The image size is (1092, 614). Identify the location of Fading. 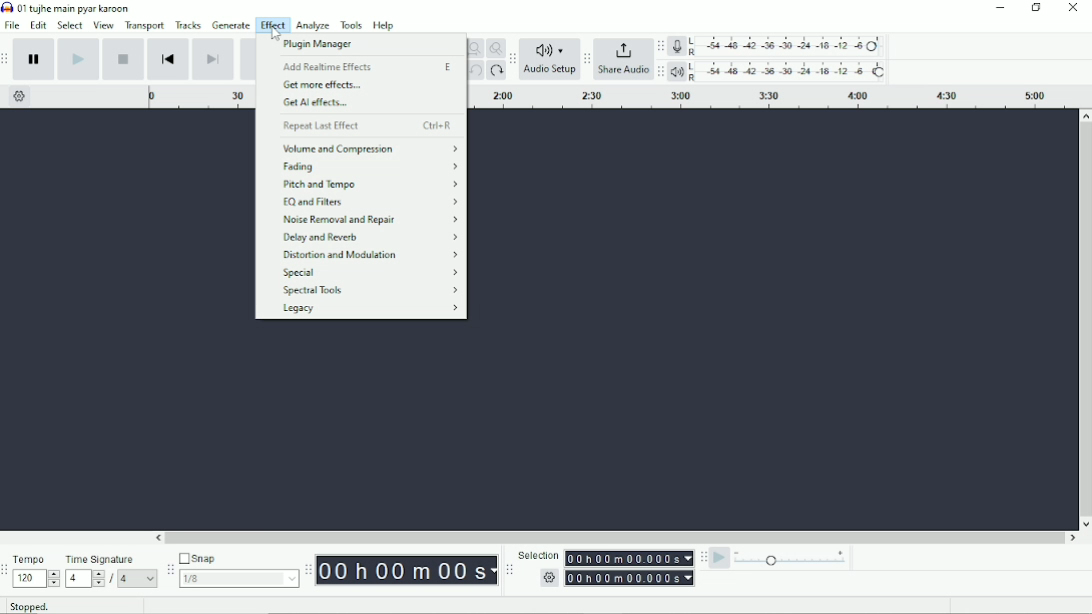
(370, 167).